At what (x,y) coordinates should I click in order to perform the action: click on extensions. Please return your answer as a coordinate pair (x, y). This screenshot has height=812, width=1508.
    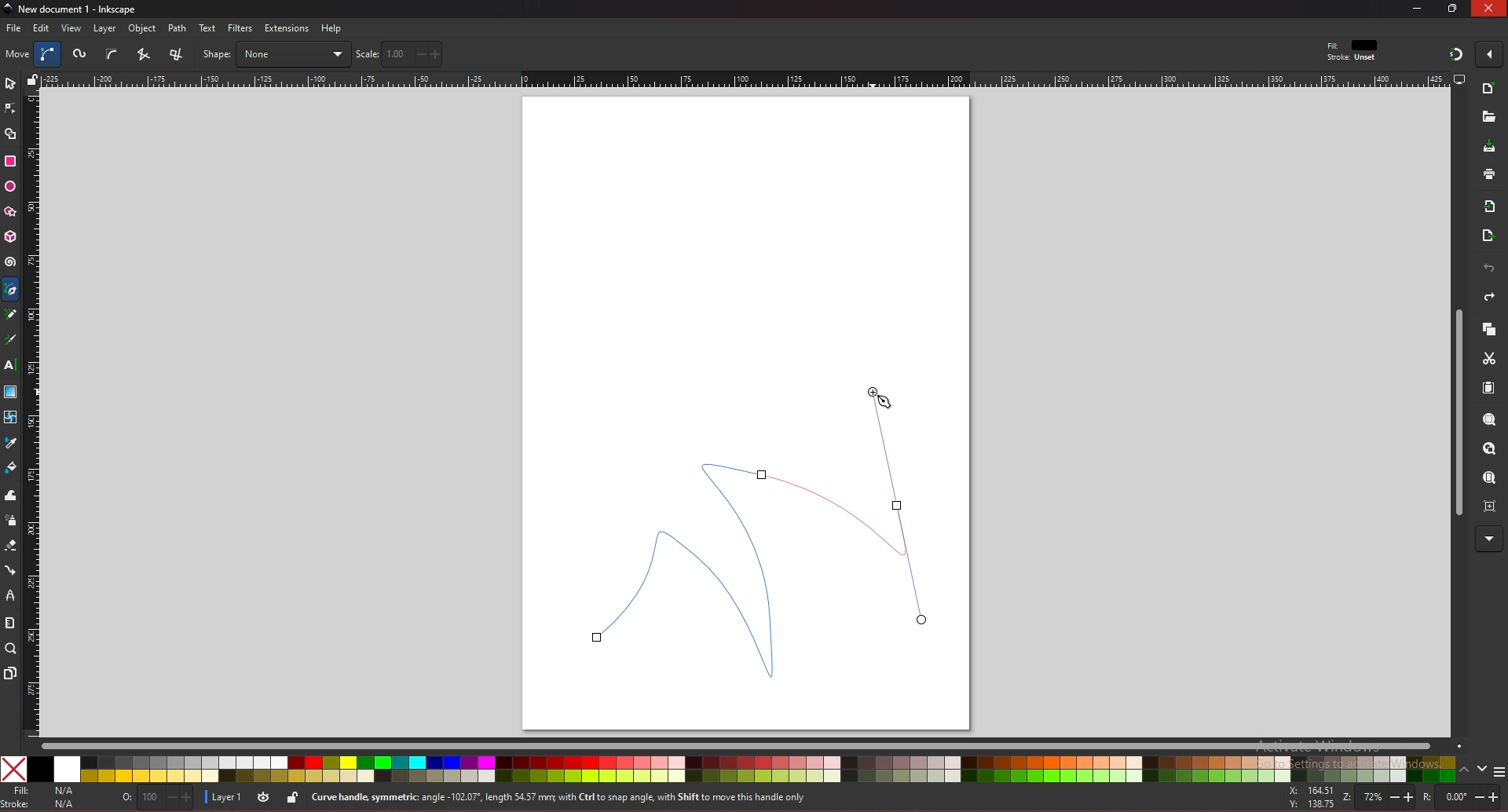
    Looking at the image, I should click on (286, 29).